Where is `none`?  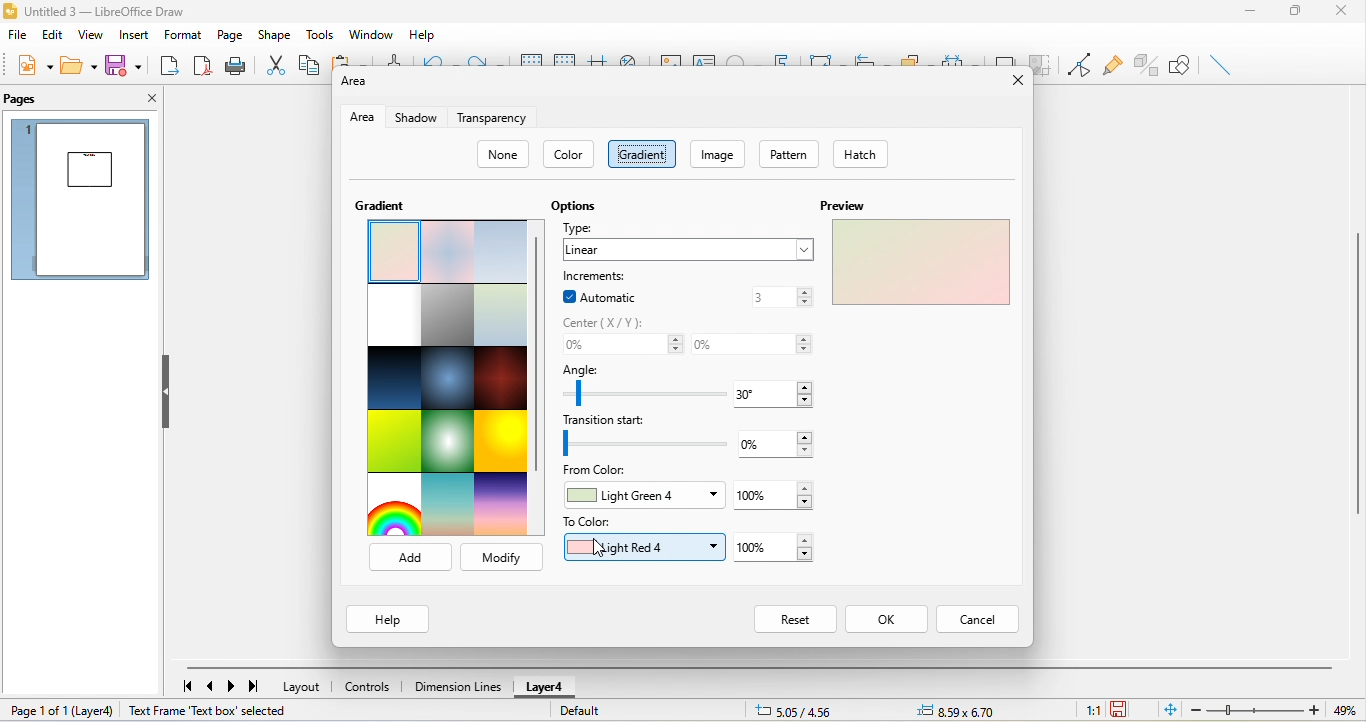
none is located at coordinates (504, 155).